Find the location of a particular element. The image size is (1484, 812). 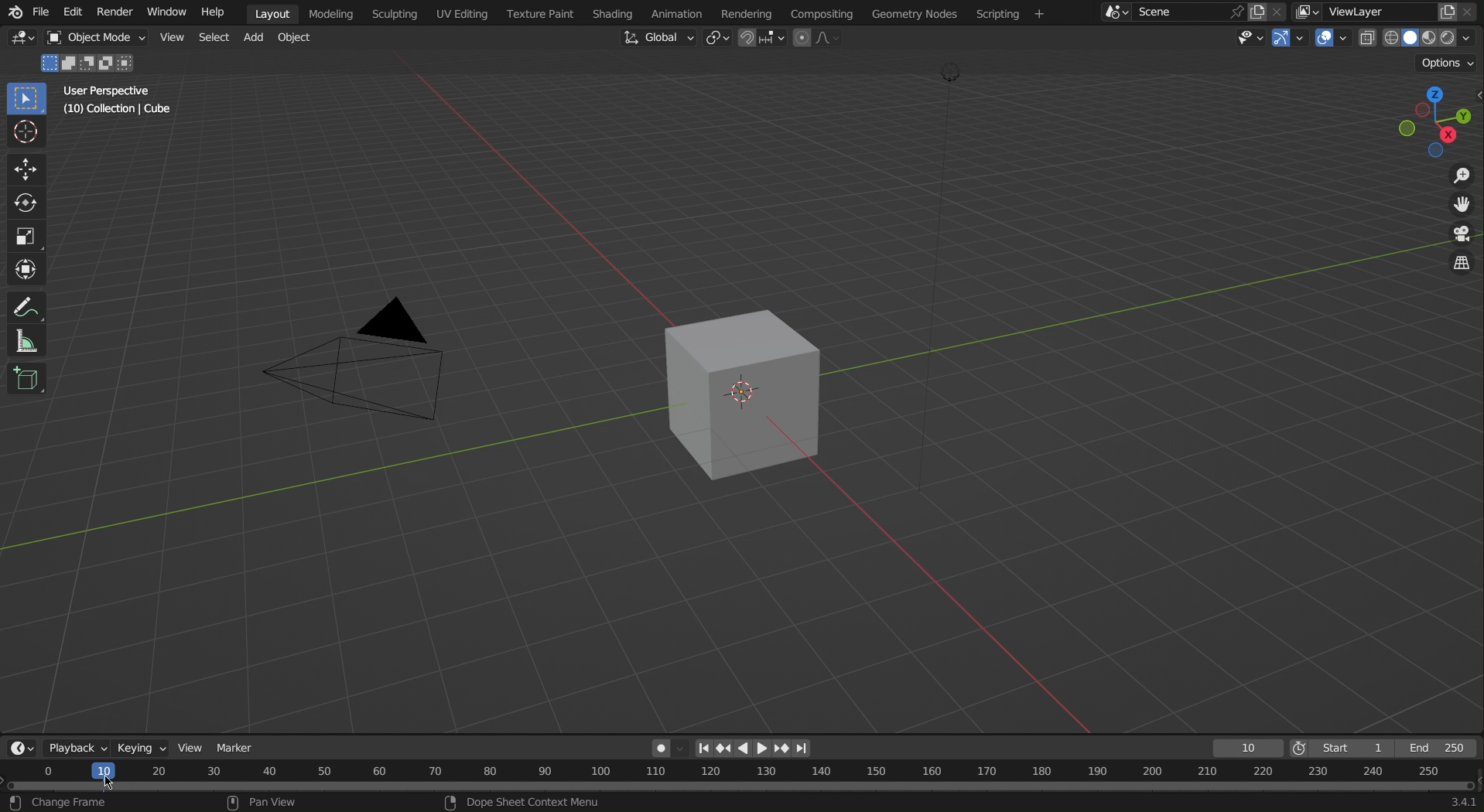

Render is located at coordinates (118, 13).